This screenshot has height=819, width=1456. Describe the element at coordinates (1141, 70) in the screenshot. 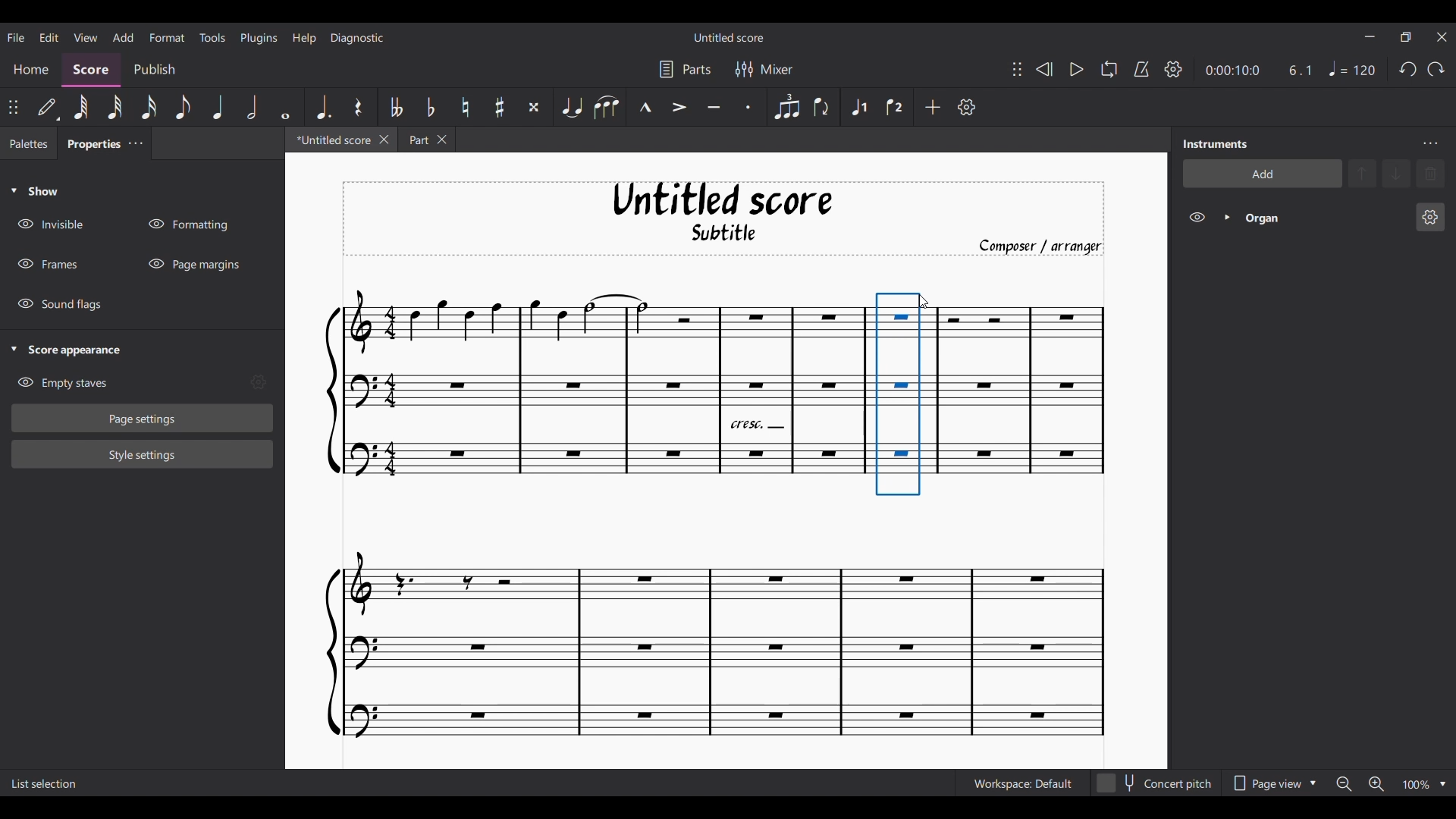

I see `Metronome` at that location.